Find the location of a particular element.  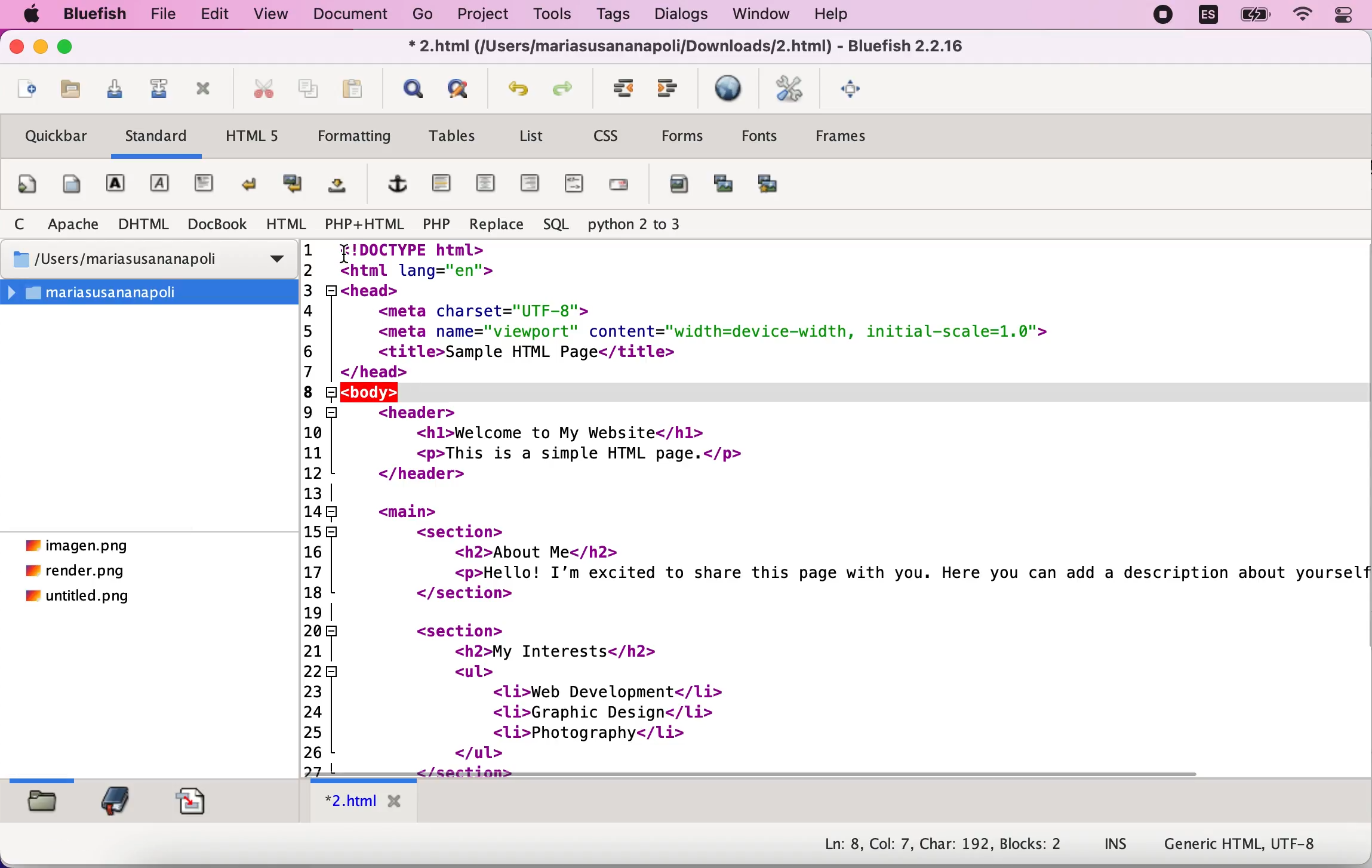

Bold is located at coordinates (116, 186).